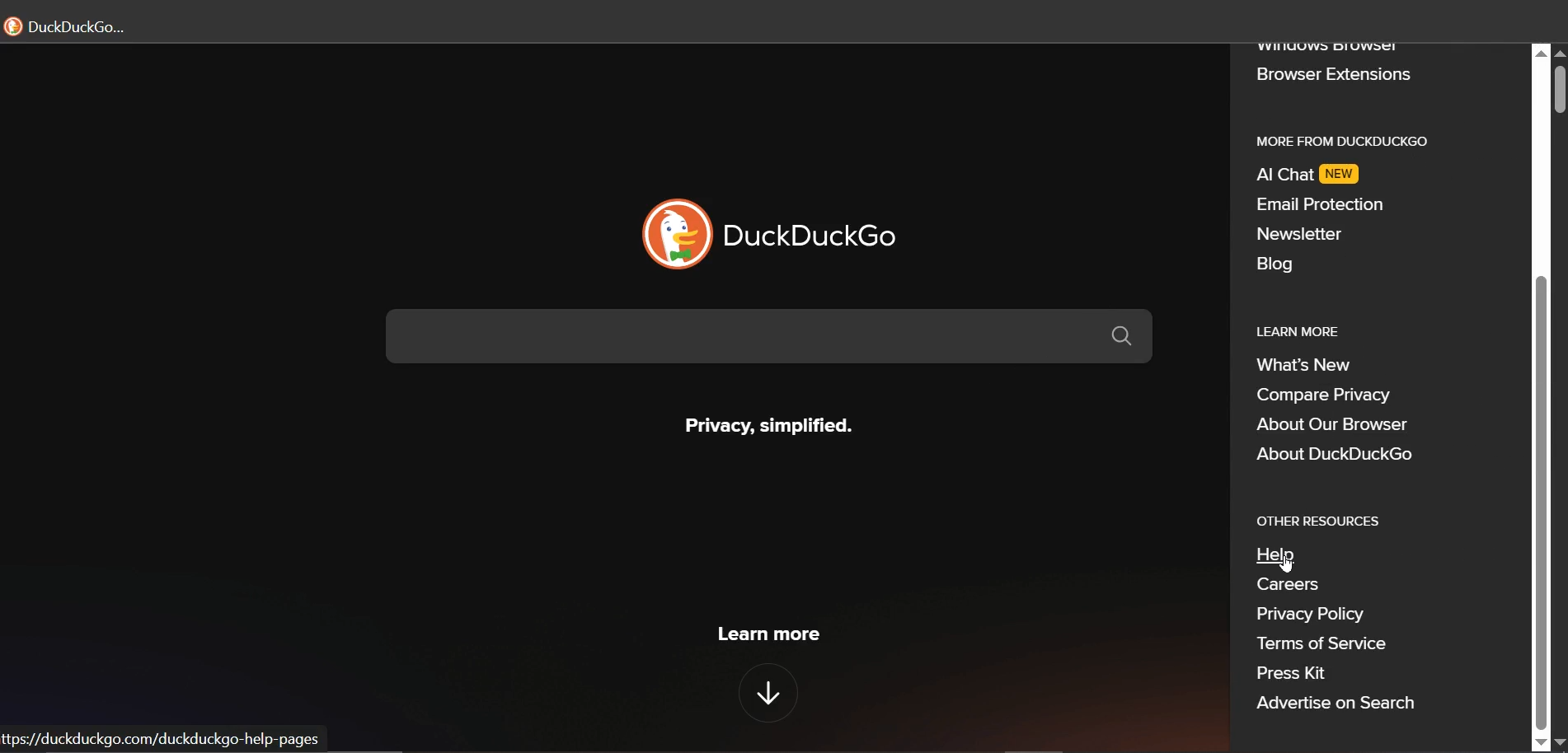 Image resolution: width=1568 pixels, height=753 pixels. I want to click on learn more, so click(766, 634).